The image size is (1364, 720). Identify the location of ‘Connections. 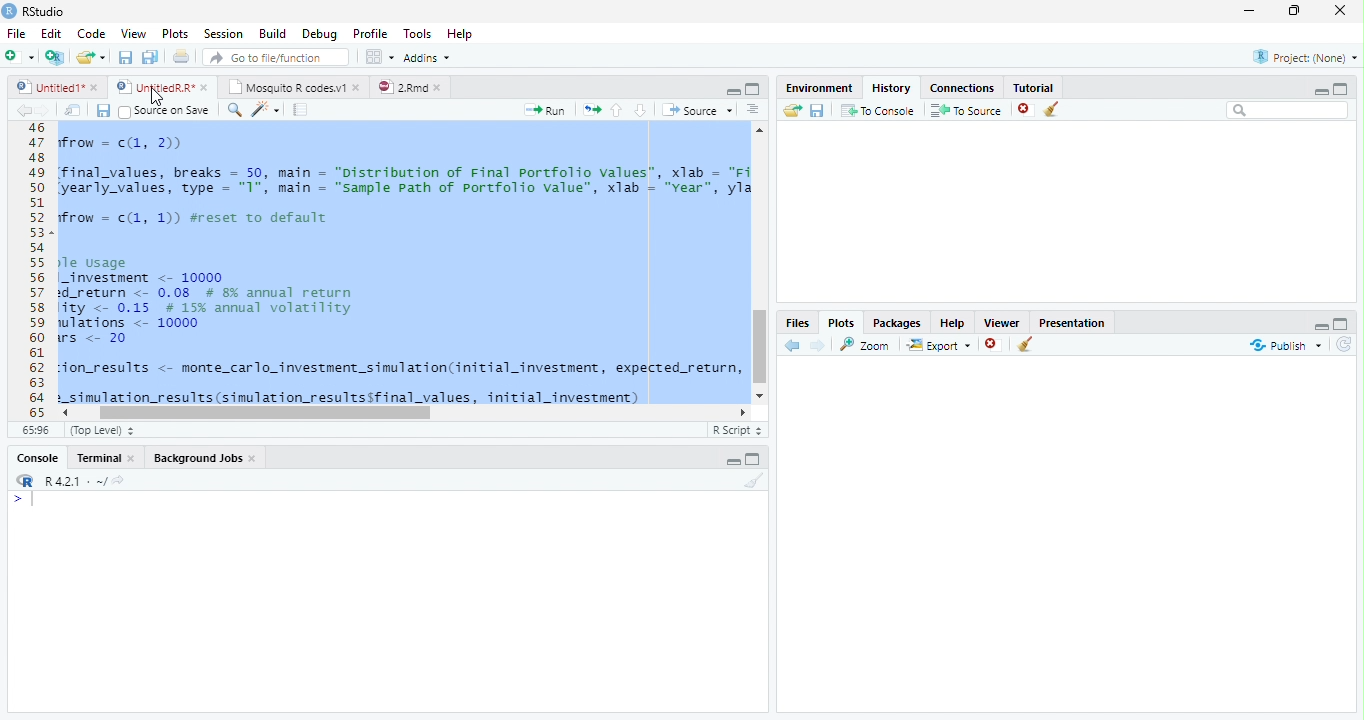
(959, 86).